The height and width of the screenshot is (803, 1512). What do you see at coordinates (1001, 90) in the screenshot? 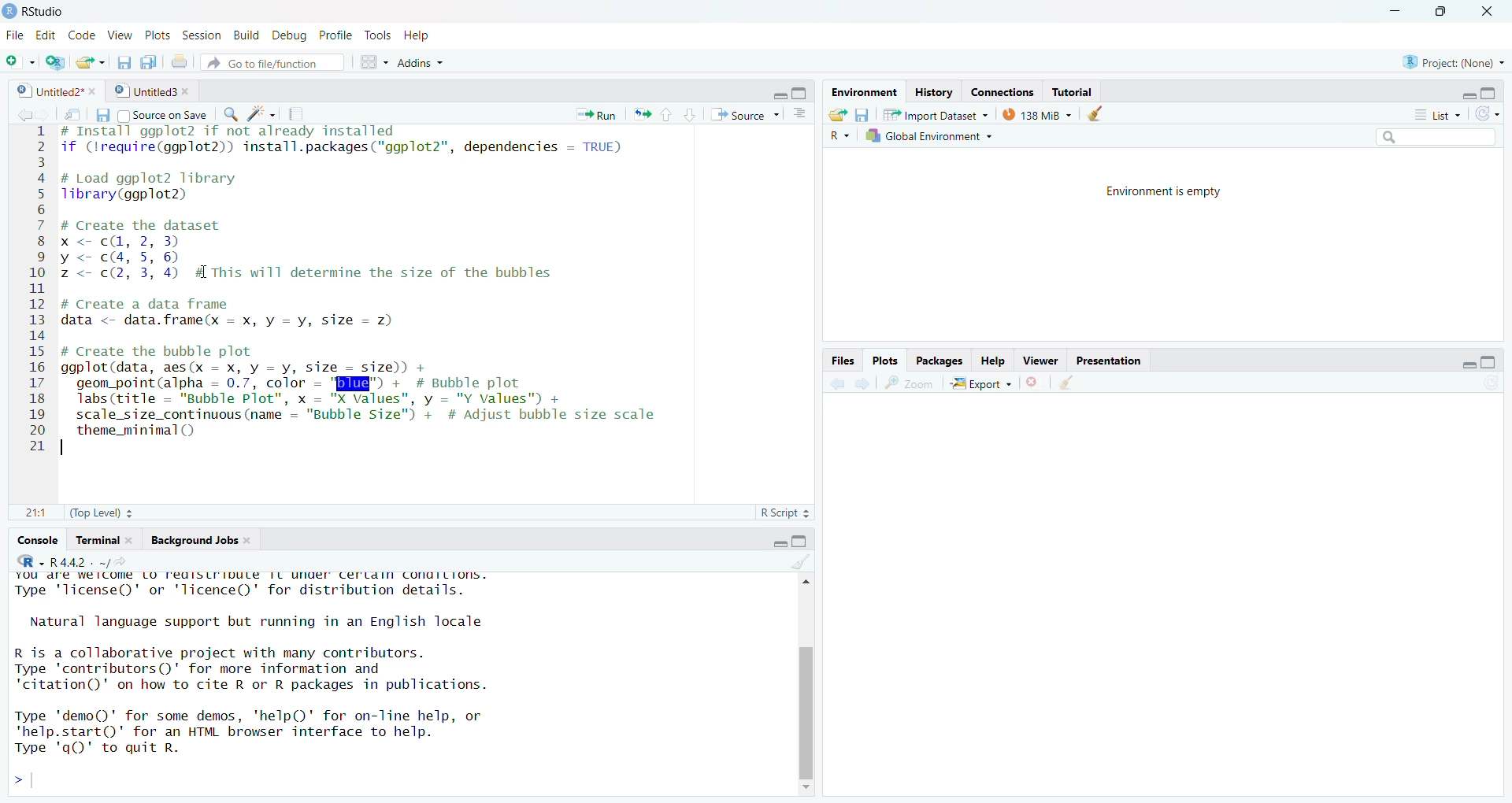
I see `Connections` at bounding box center [1001, 90].